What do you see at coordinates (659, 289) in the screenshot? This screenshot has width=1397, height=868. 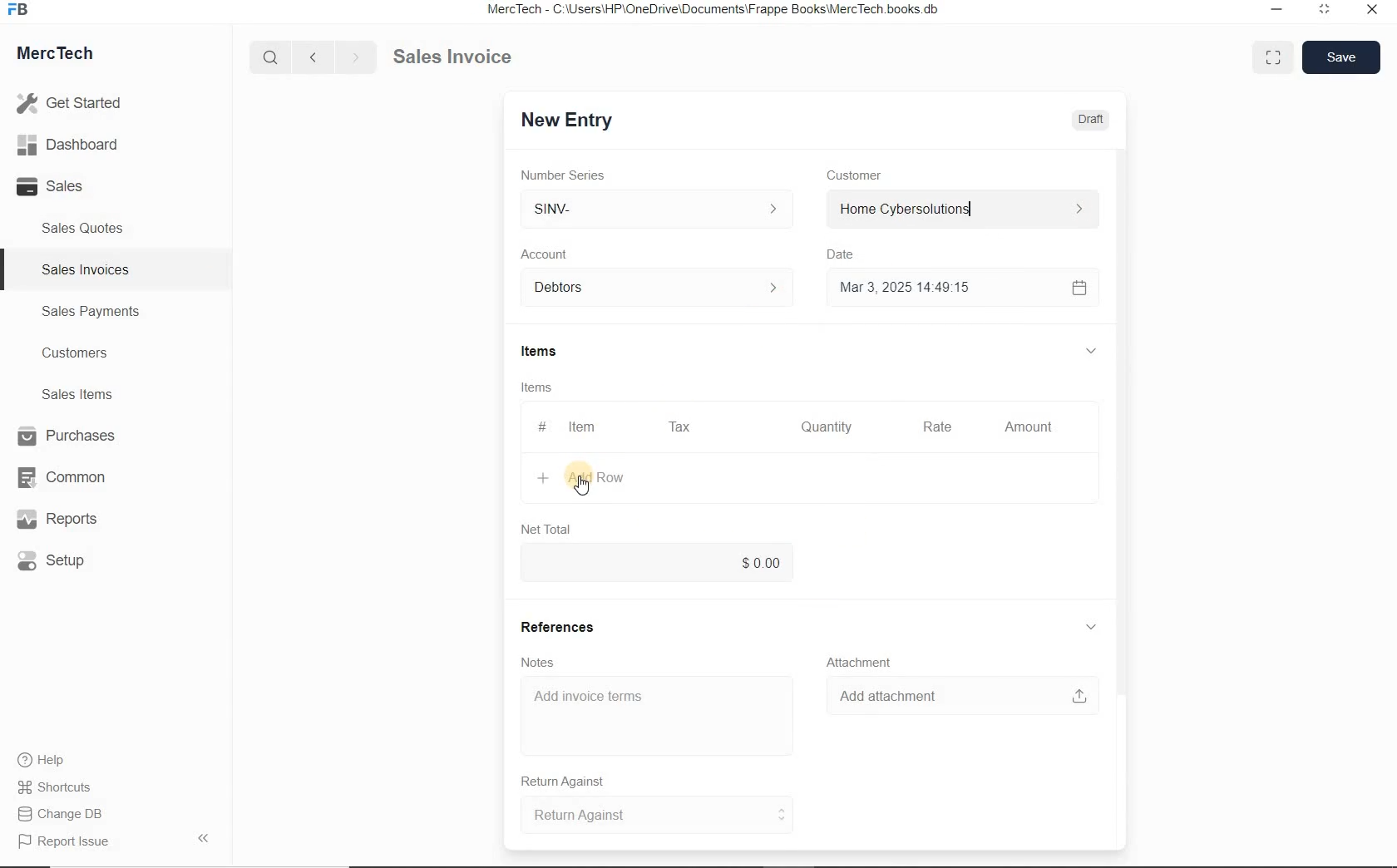 I see `Account dropdown` at bounding box center [659, 289].